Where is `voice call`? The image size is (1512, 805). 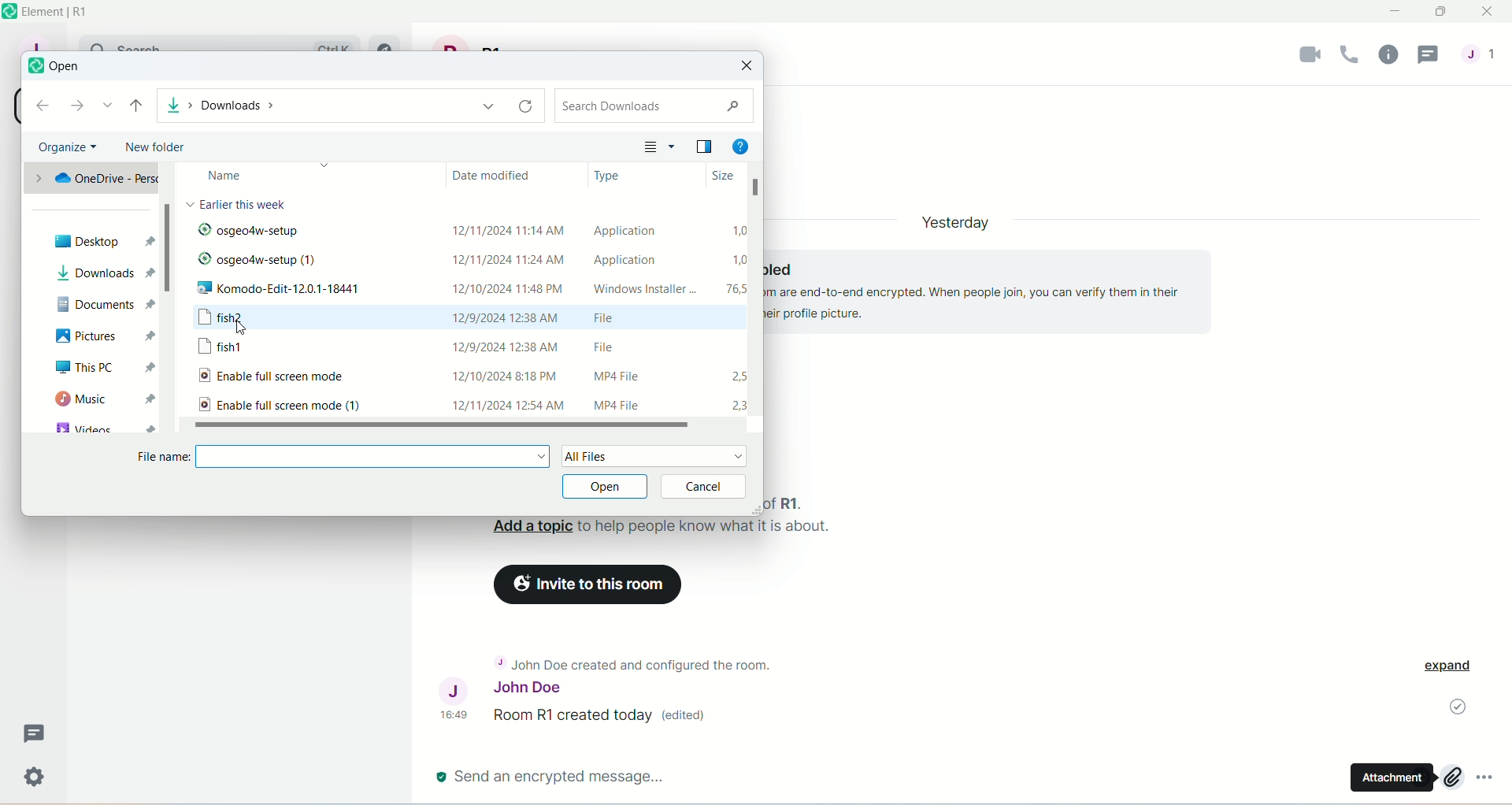 voice call is located at coordinates (1349, 56).